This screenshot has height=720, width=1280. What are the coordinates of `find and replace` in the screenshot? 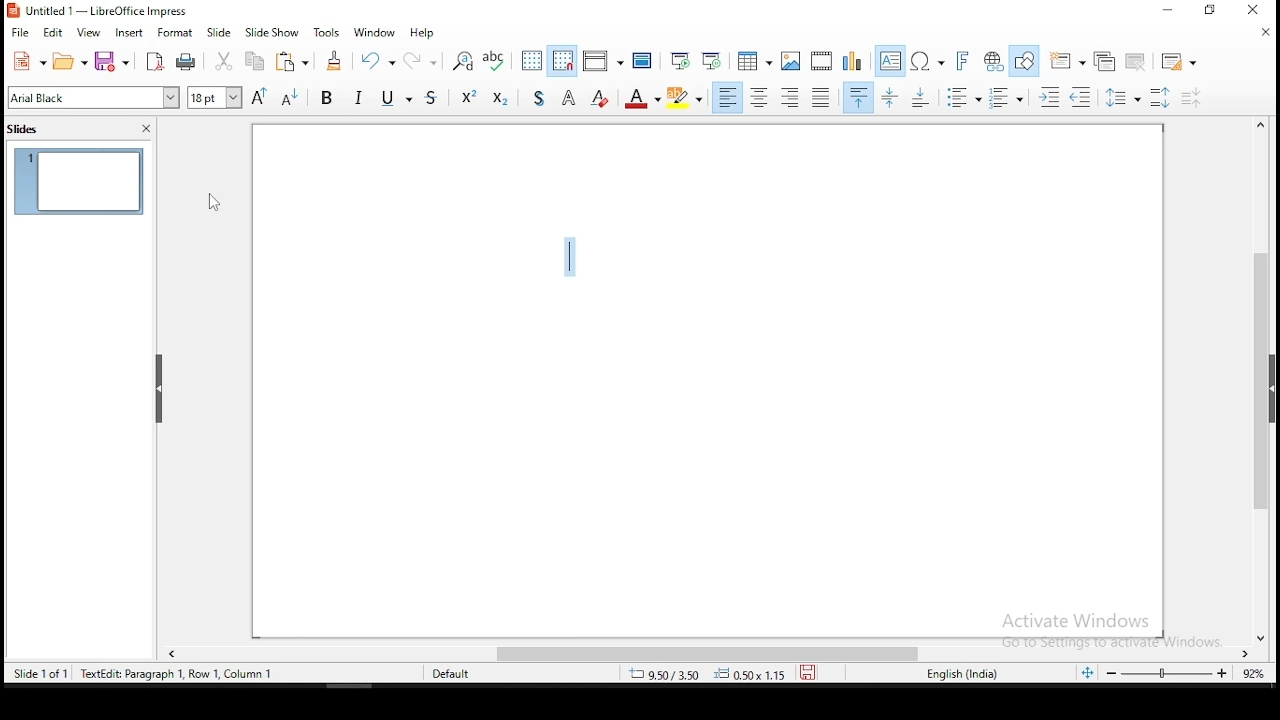 It's located at (462, 61).